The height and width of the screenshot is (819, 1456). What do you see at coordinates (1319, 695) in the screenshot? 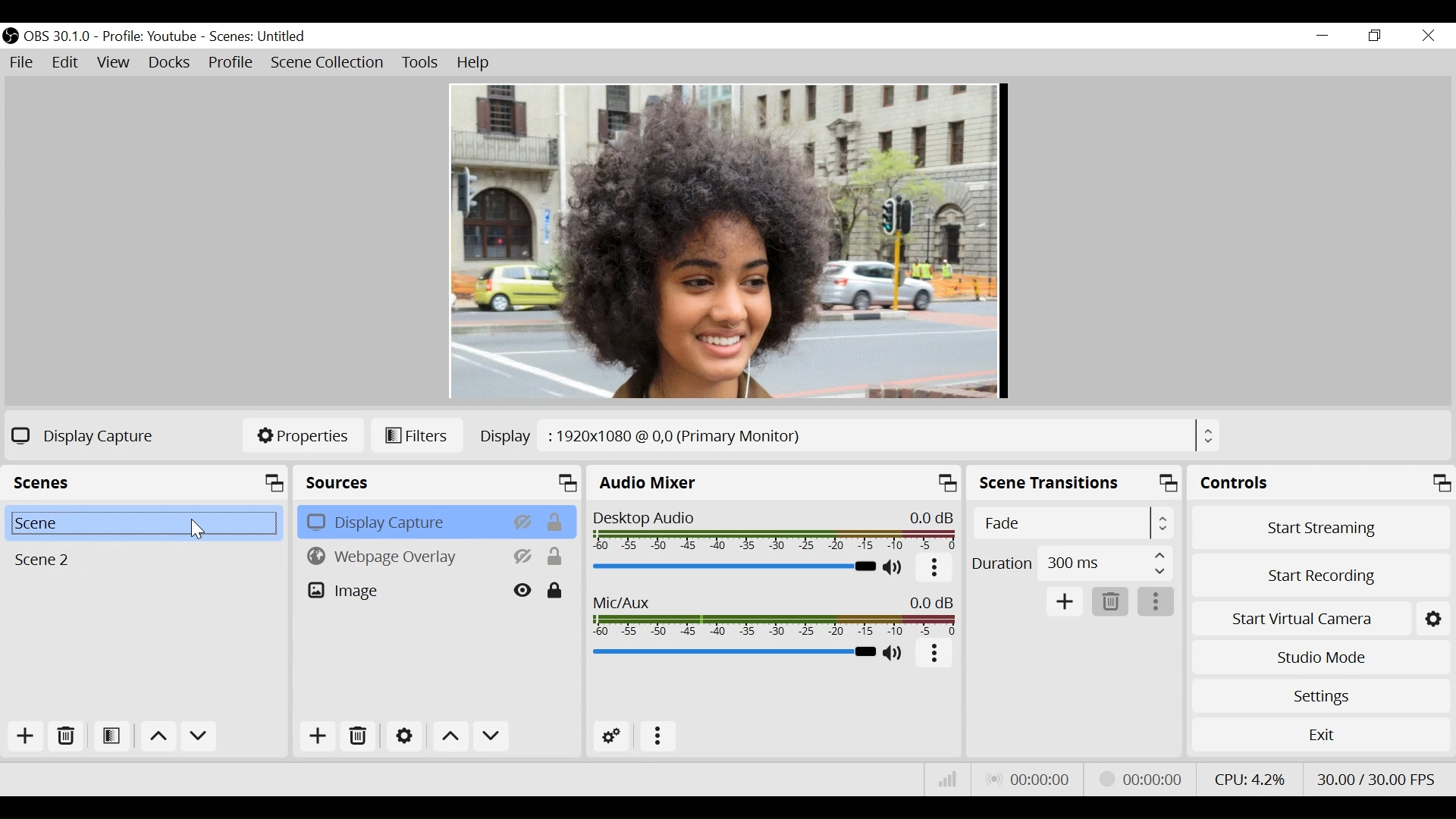
I see `Settings` at bounding box center [1319, 695].